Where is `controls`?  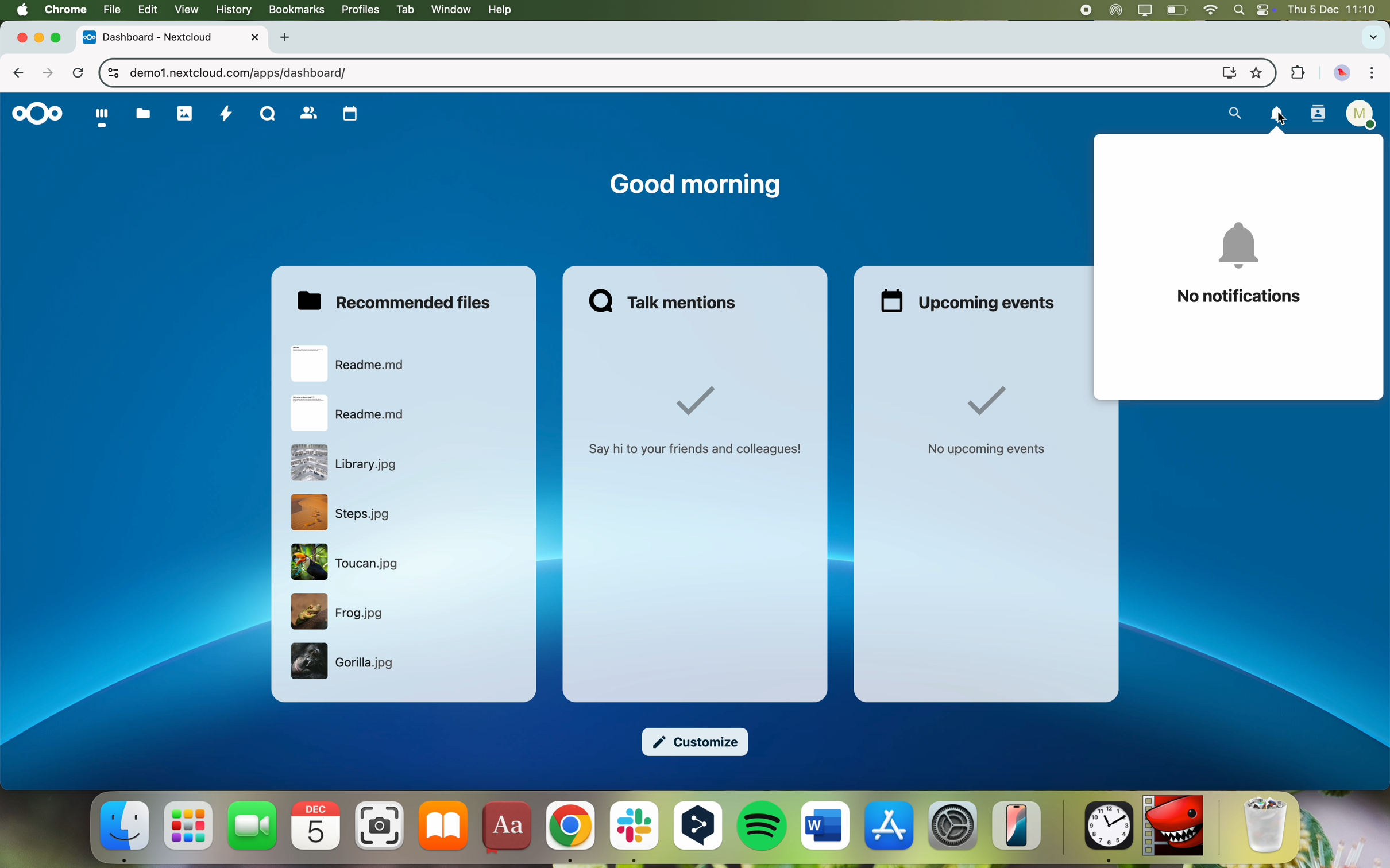
controls is located at coordinates (1266, 10).